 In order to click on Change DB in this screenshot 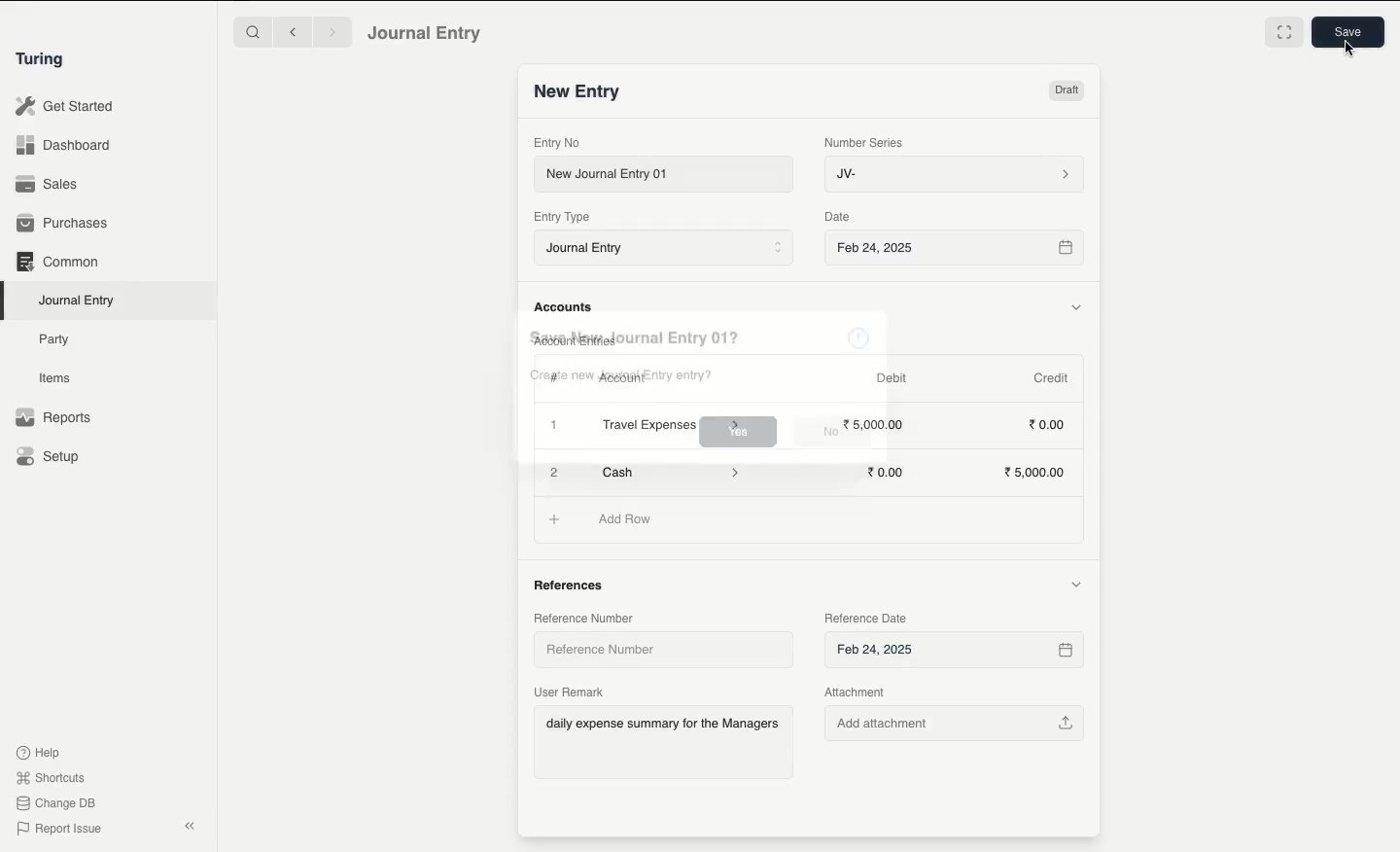, I will do `click(55, 803)`.